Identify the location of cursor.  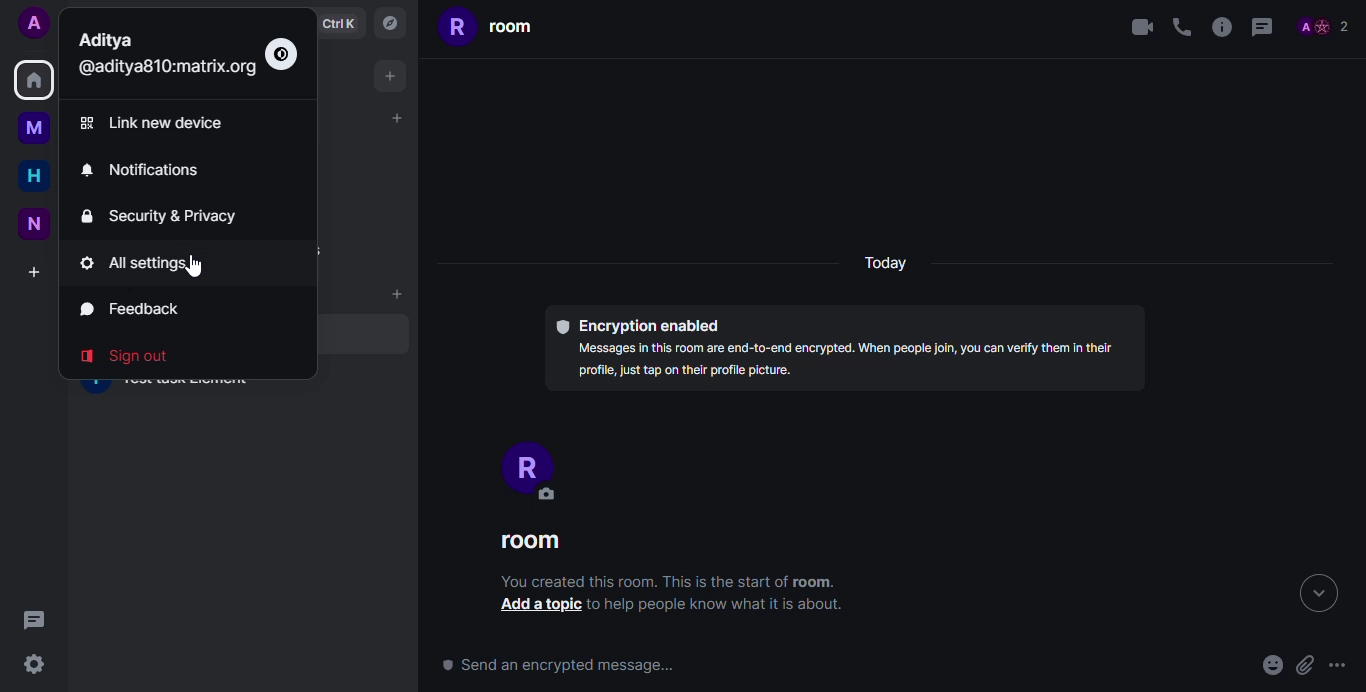
(195, 265).